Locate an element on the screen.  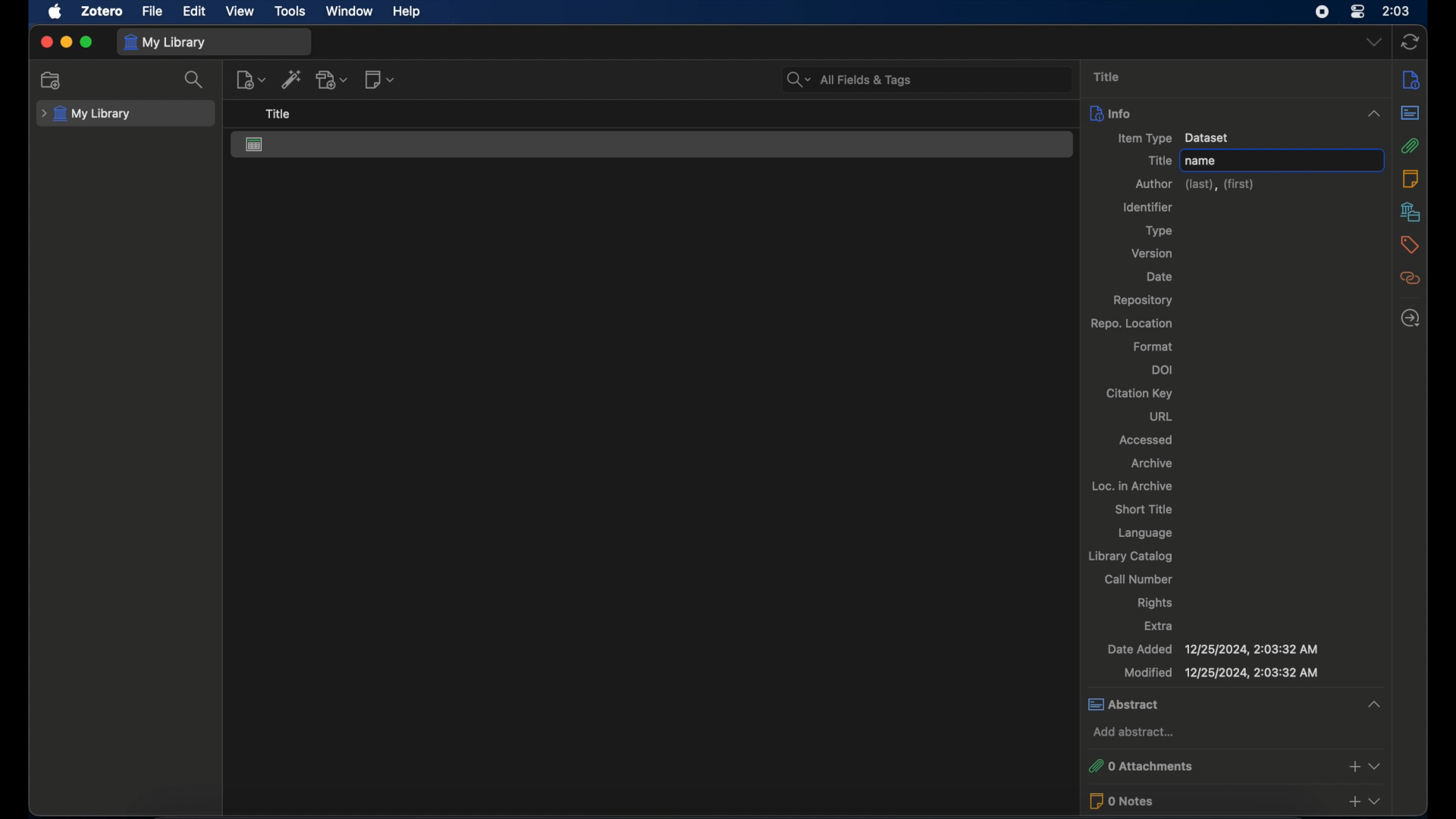
file is located at coordinates (152, 11).